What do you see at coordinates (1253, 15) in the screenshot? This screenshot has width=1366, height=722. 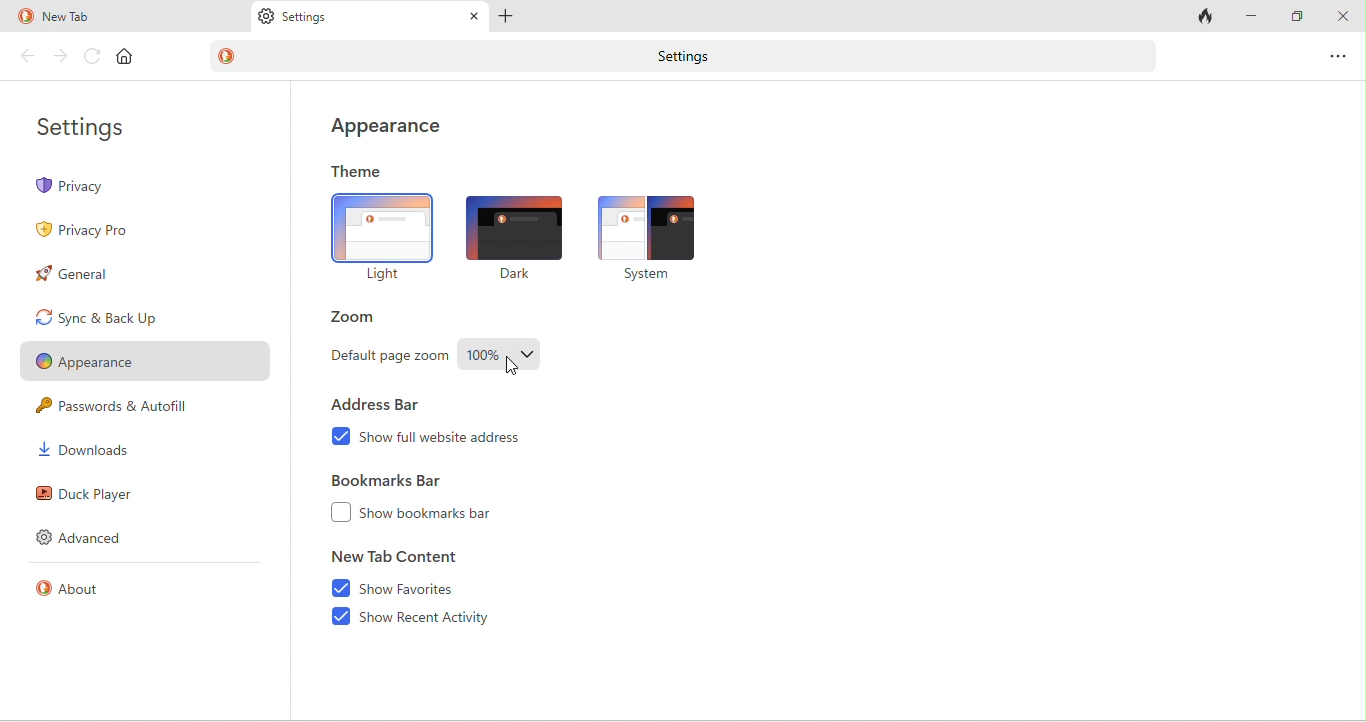 I see `minimize` at bounding box center [1253, 15].